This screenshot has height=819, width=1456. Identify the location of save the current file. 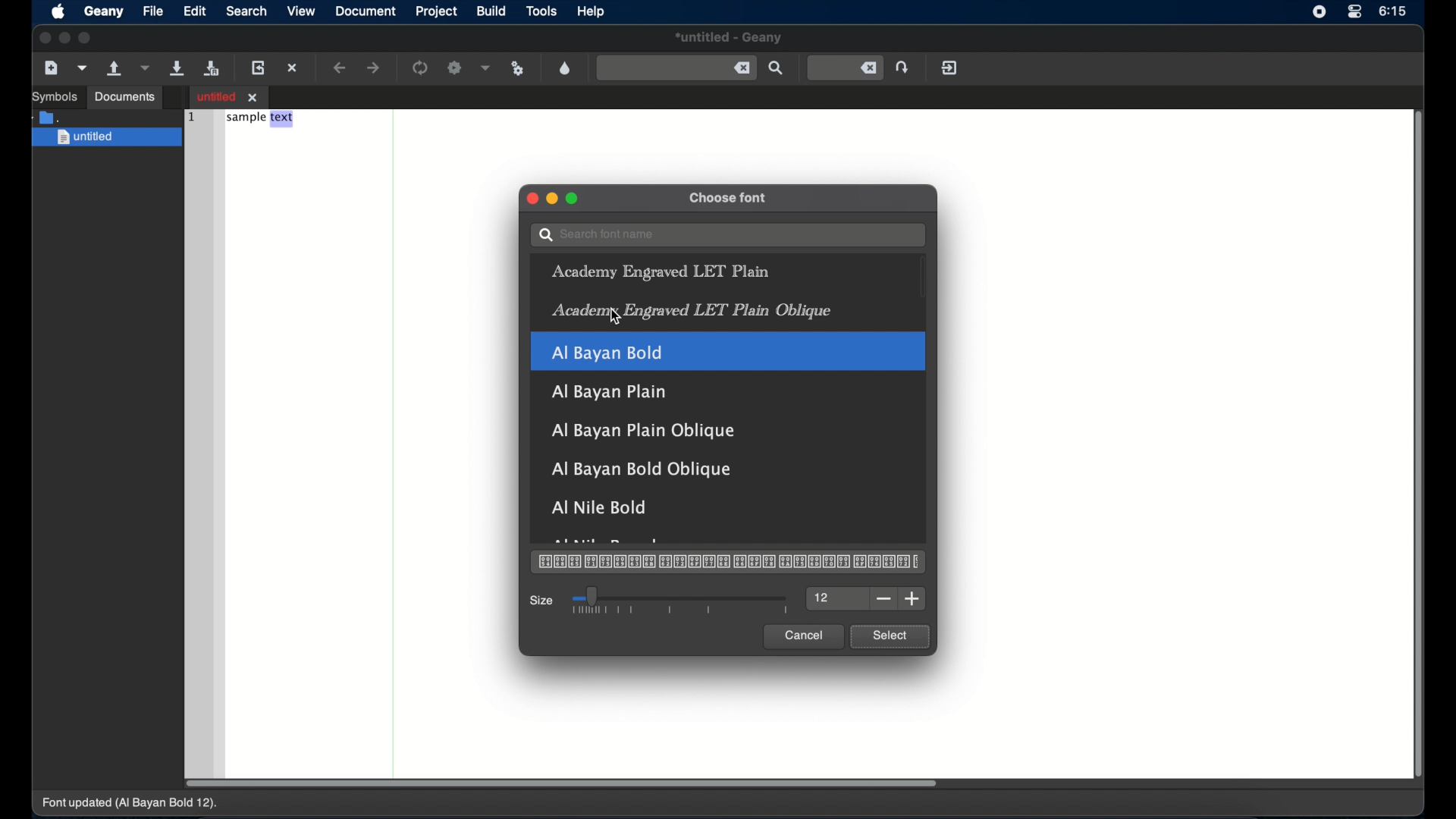
(177, 67).